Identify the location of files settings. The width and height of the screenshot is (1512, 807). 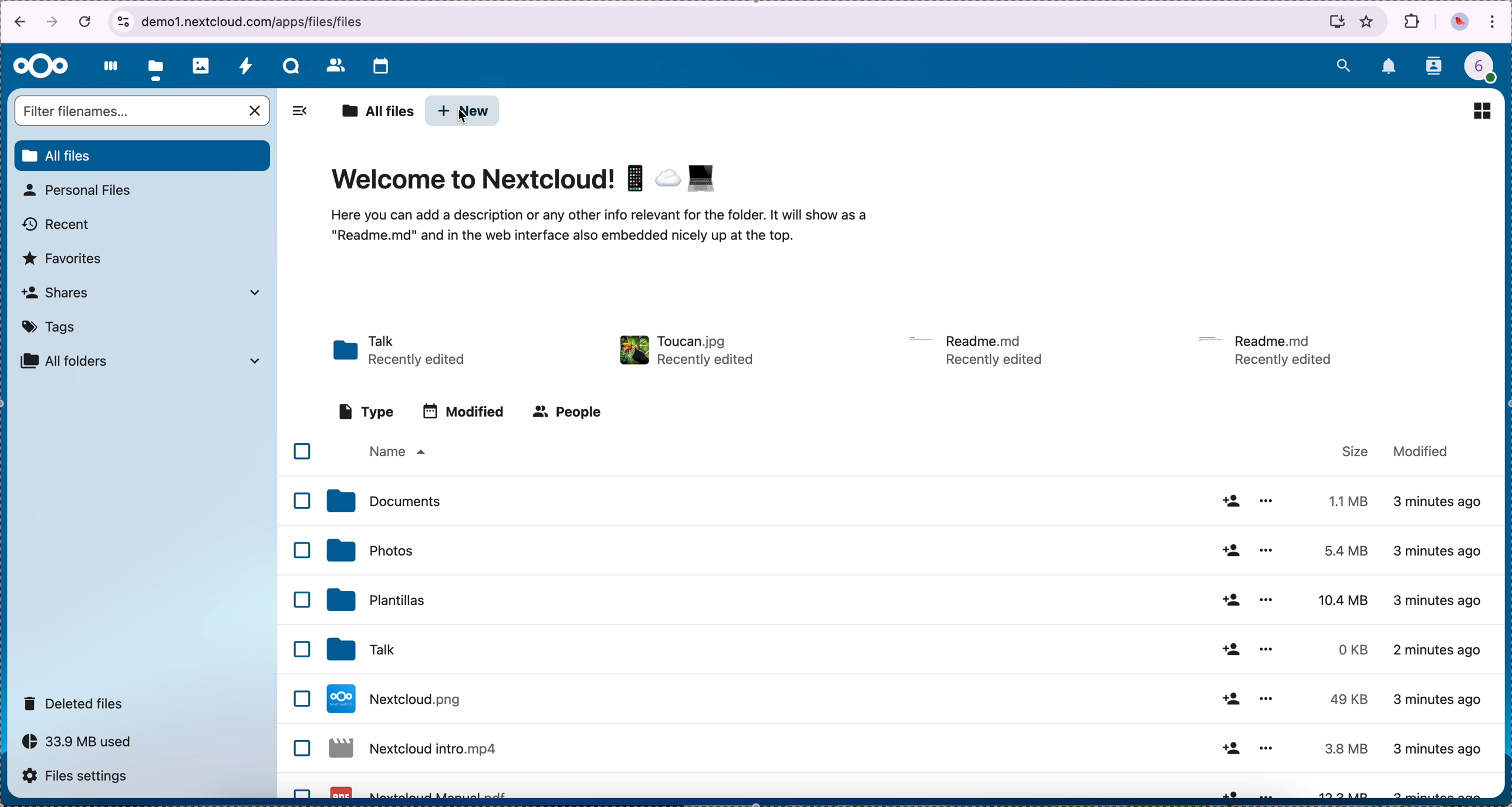
(81, 778).